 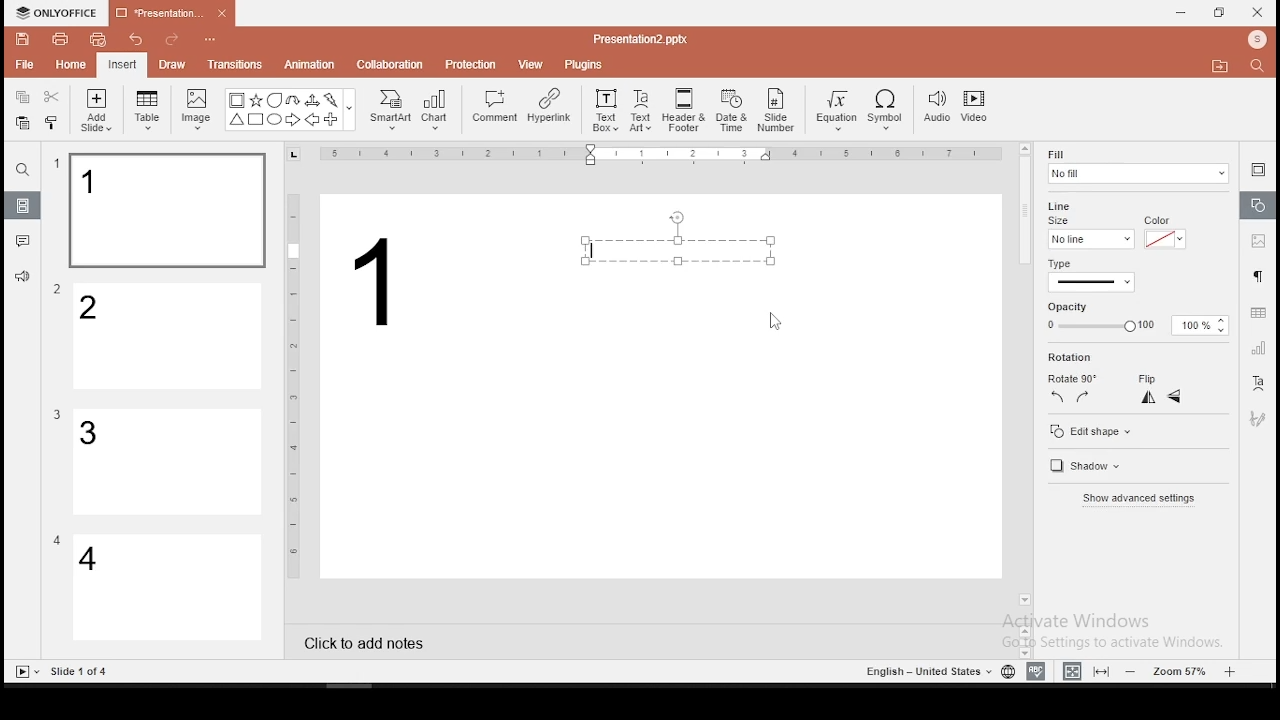 I want to click on save, so click(x=23, y=38).